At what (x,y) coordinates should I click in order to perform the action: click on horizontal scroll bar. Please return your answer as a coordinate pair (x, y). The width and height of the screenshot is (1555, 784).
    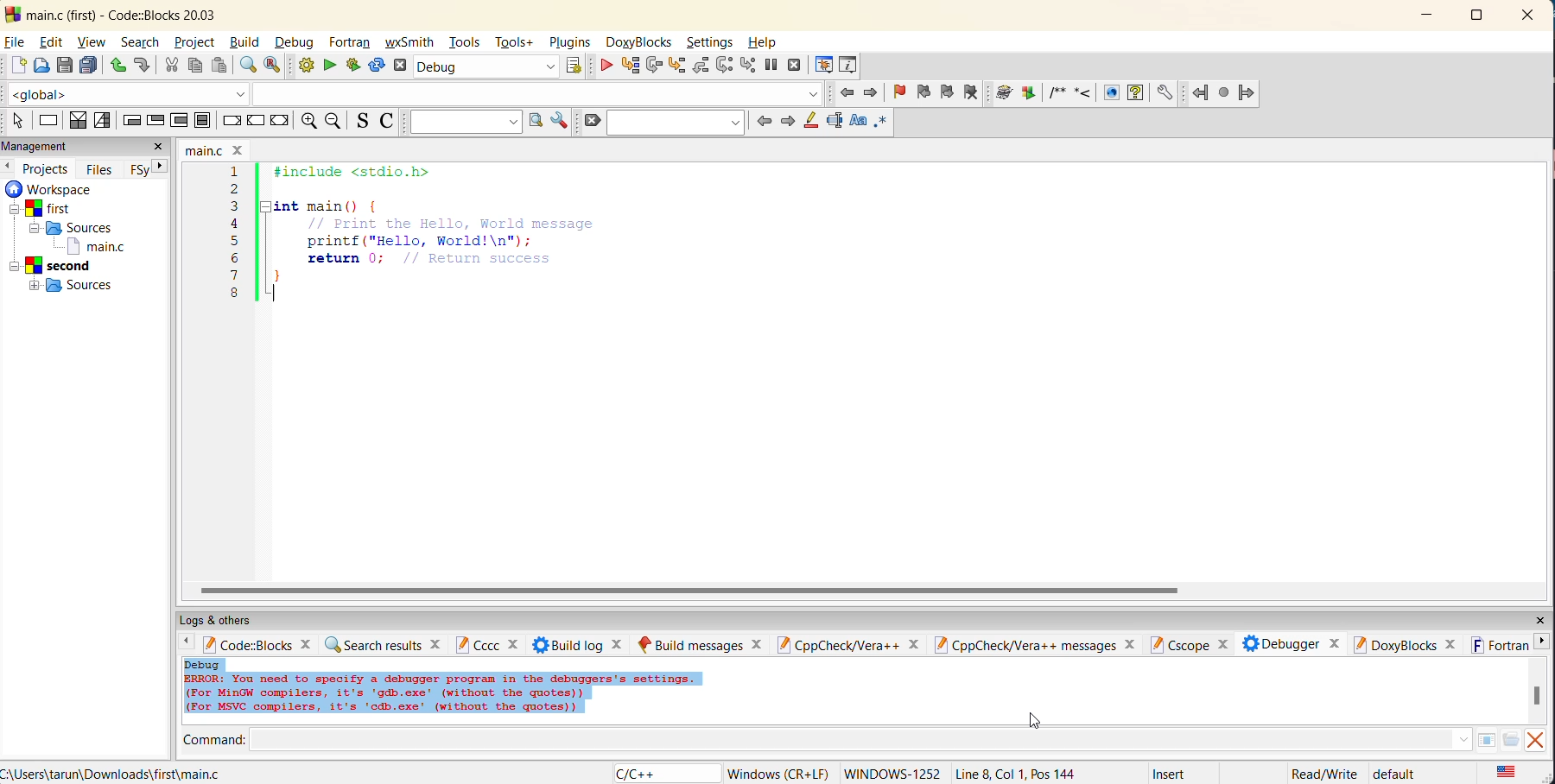
    Looking at the image, I should click on (695, 591).